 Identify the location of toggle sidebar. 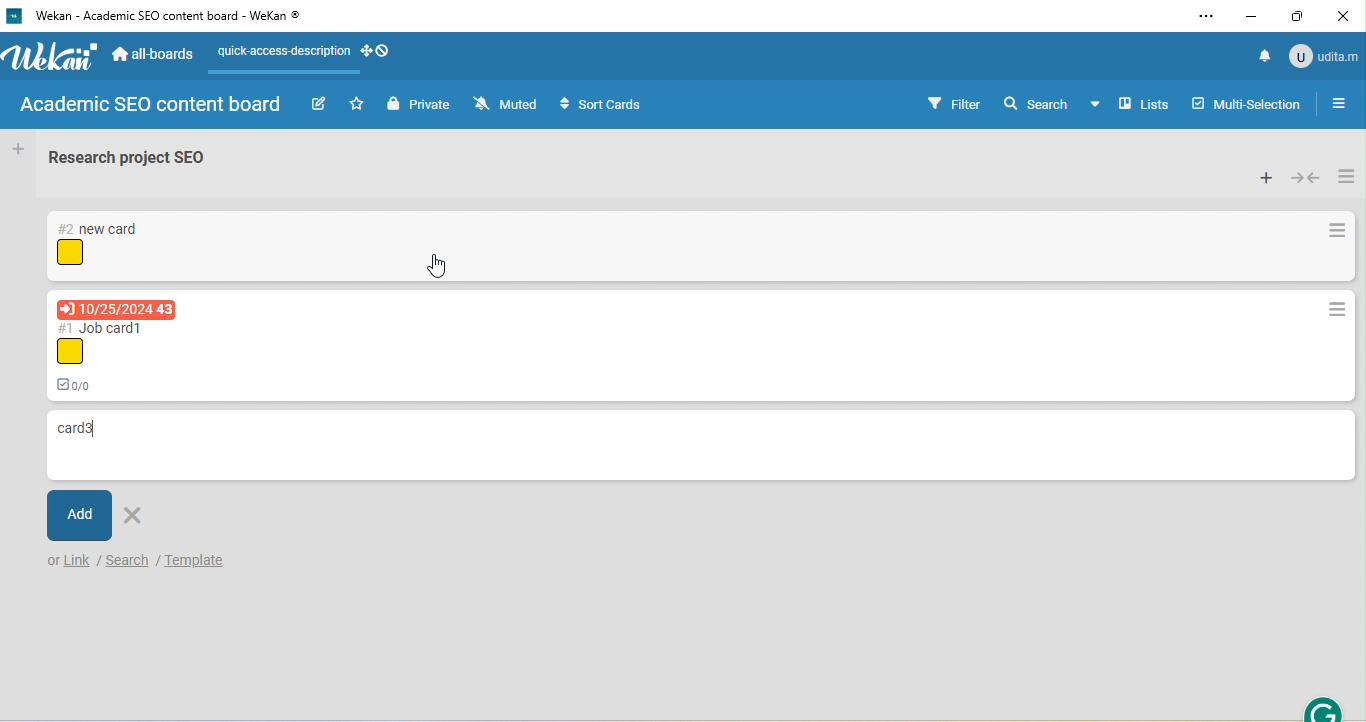
(1345, 103).